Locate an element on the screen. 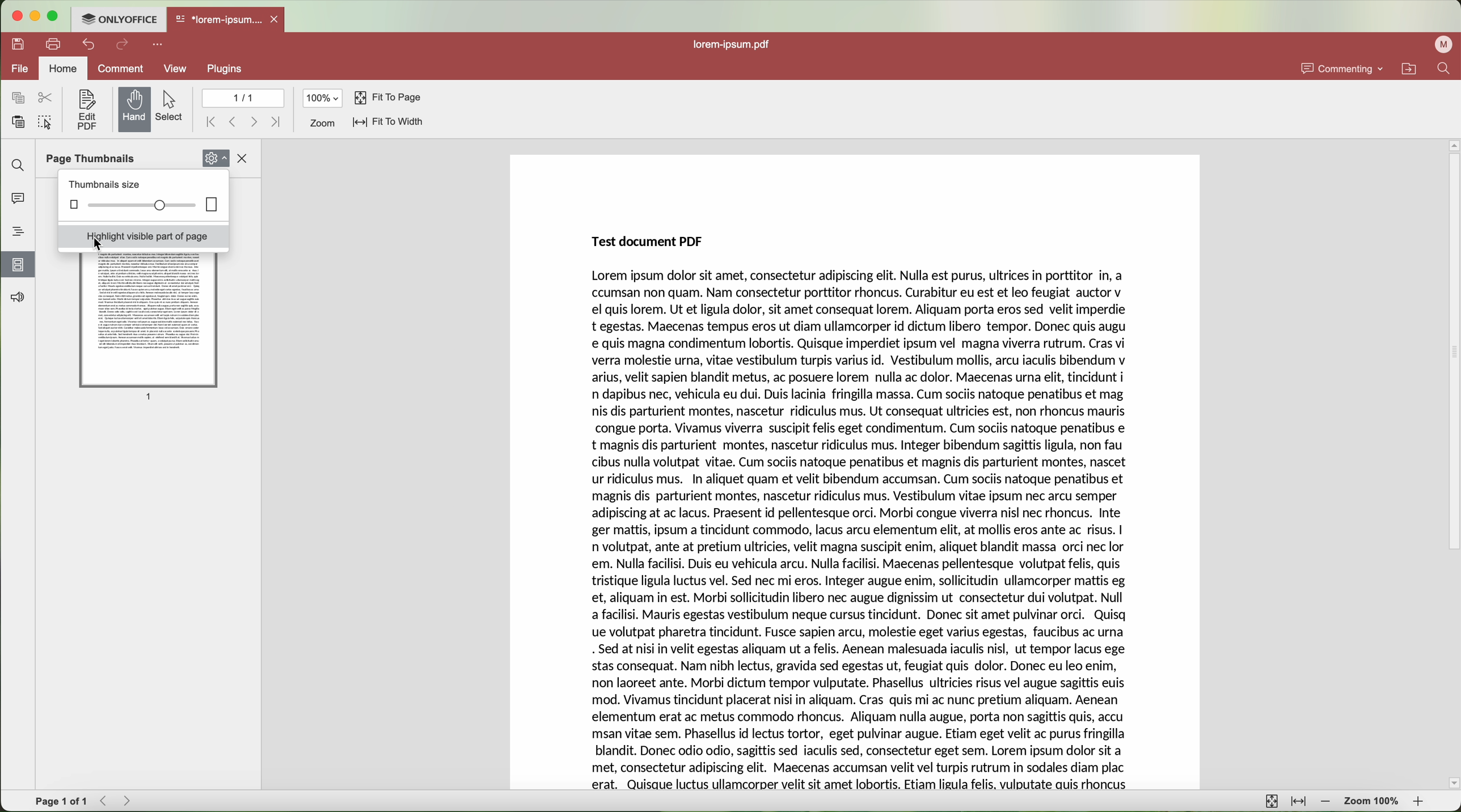 The height and width of the screenshot is (812, 1461). 1/1 is located at coordinates (242, 98).